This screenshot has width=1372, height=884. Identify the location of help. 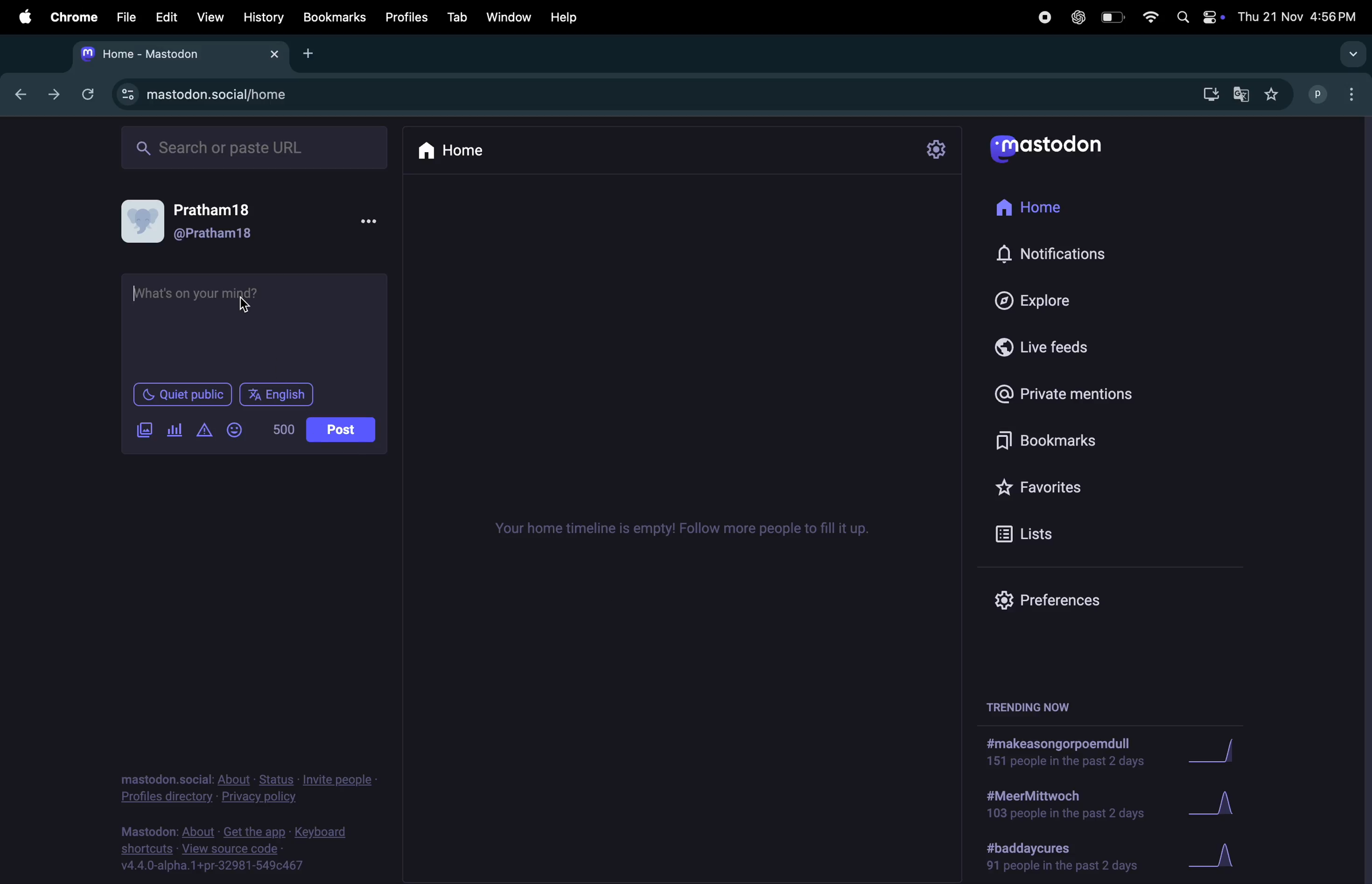
(565, 17).